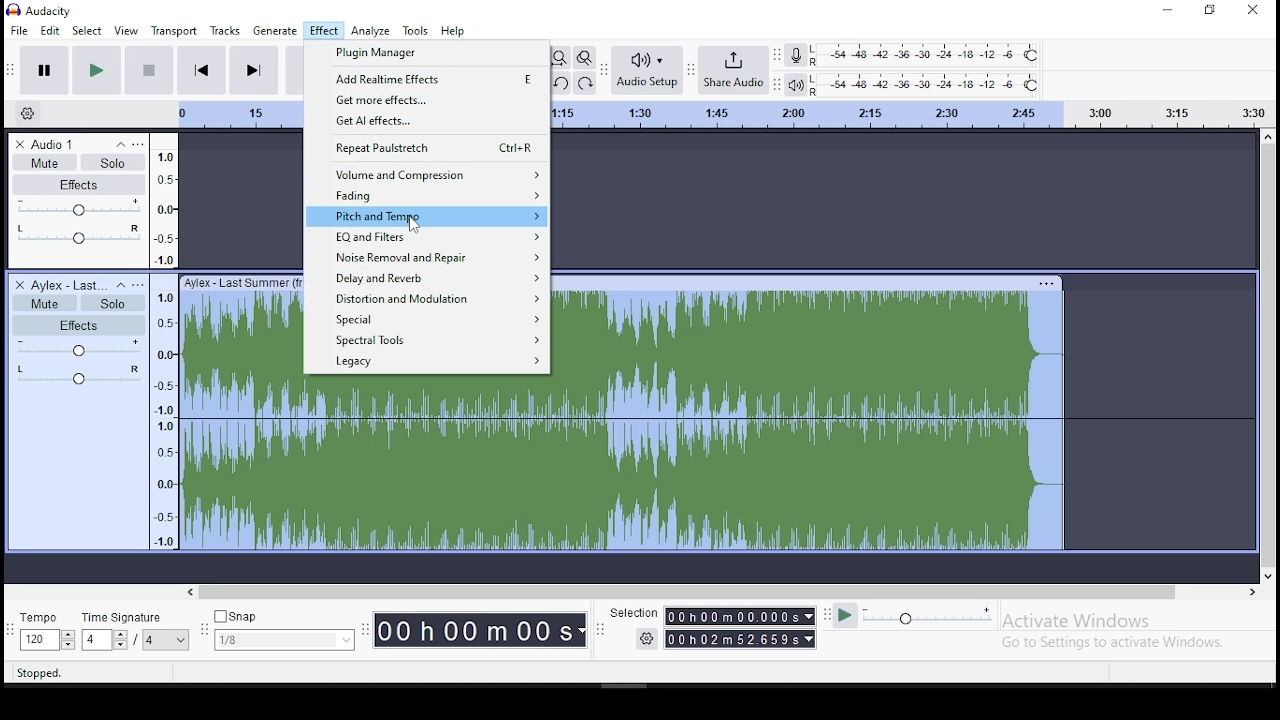  I want to click on scale, so click(238, 114).